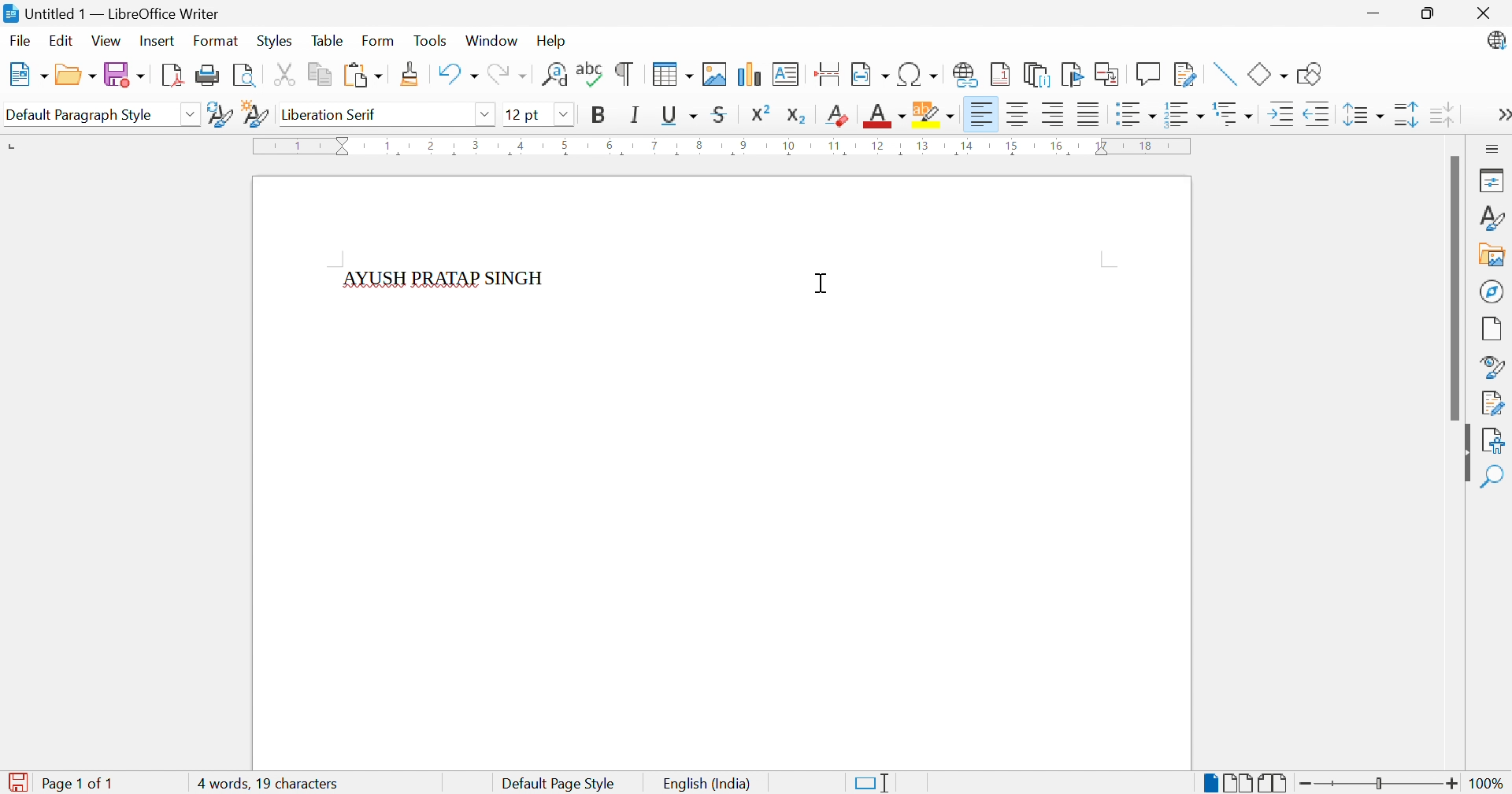  Describe the element at coordinates (1320, 114) in the screenshot. I see `Decrease Indent` at that location.